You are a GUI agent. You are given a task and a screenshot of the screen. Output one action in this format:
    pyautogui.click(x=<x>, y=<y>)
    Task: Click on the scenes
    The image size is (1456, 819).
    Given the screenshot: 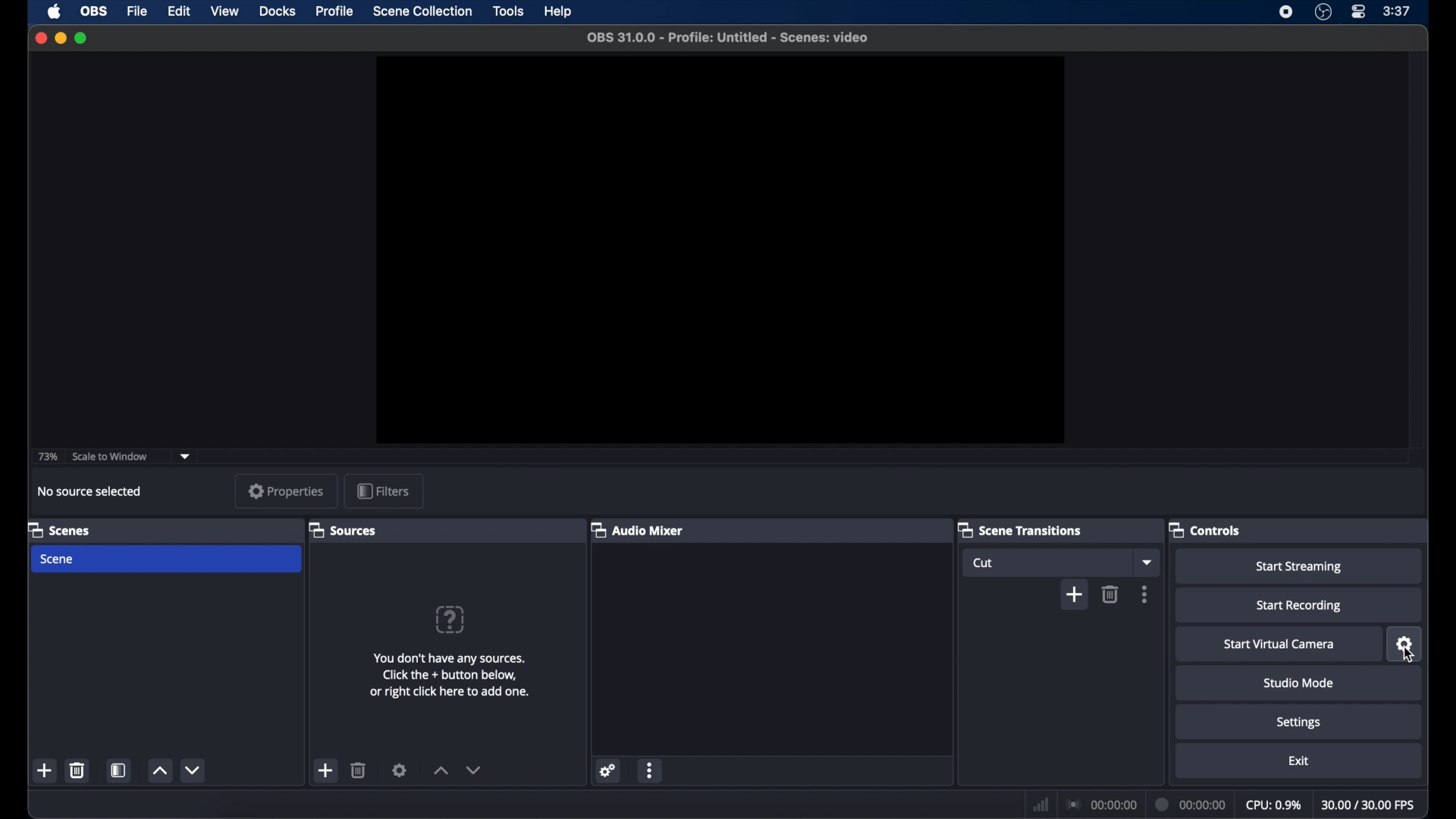 What is the action you would take?
    pyautogui.click(x=58, y=529)
    